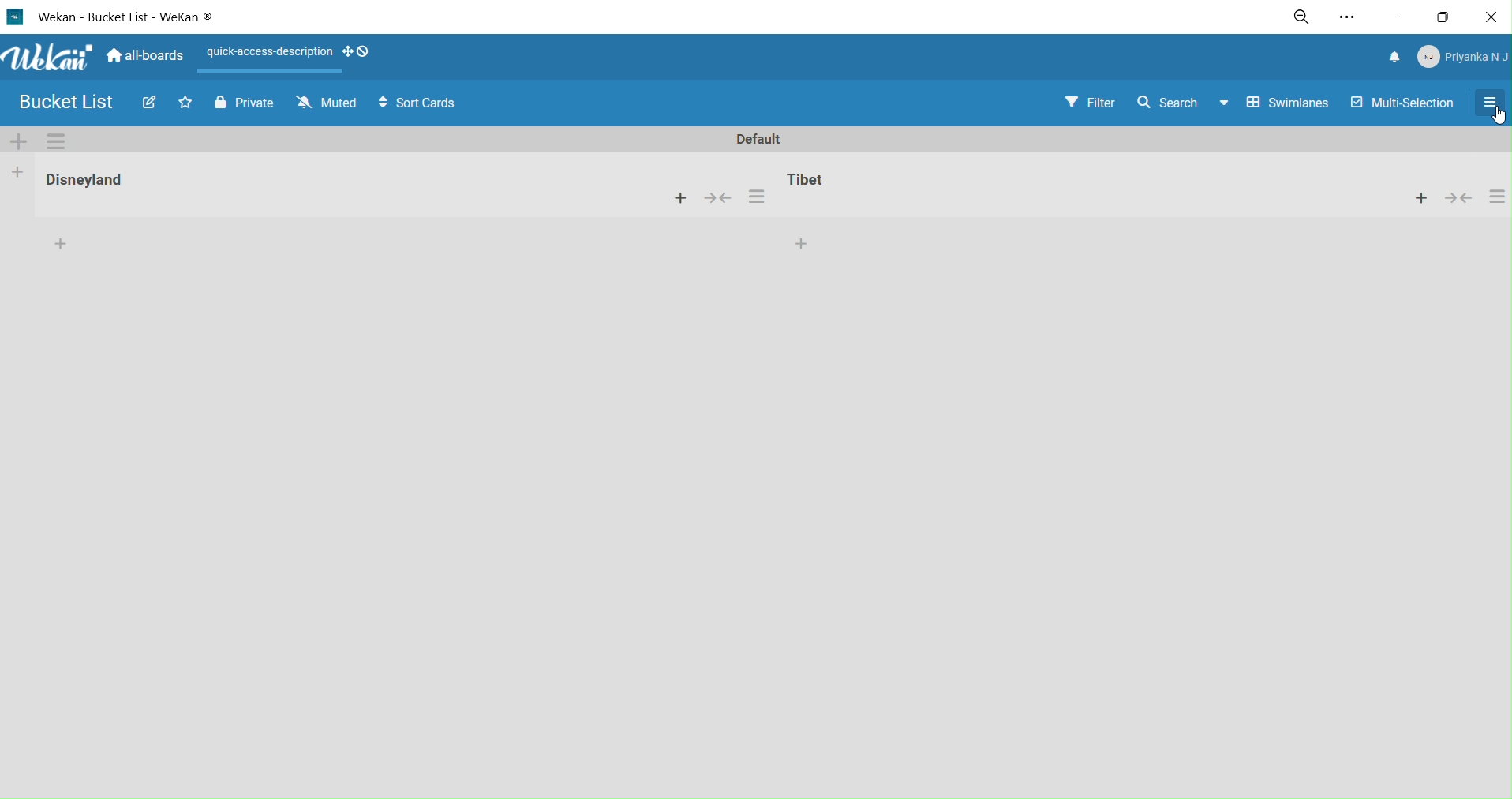 This screenshot has width=1512, height=799. Describe the element at coordinates (186, 103) in the screenshot. I see `click to star thisboard` at that location.